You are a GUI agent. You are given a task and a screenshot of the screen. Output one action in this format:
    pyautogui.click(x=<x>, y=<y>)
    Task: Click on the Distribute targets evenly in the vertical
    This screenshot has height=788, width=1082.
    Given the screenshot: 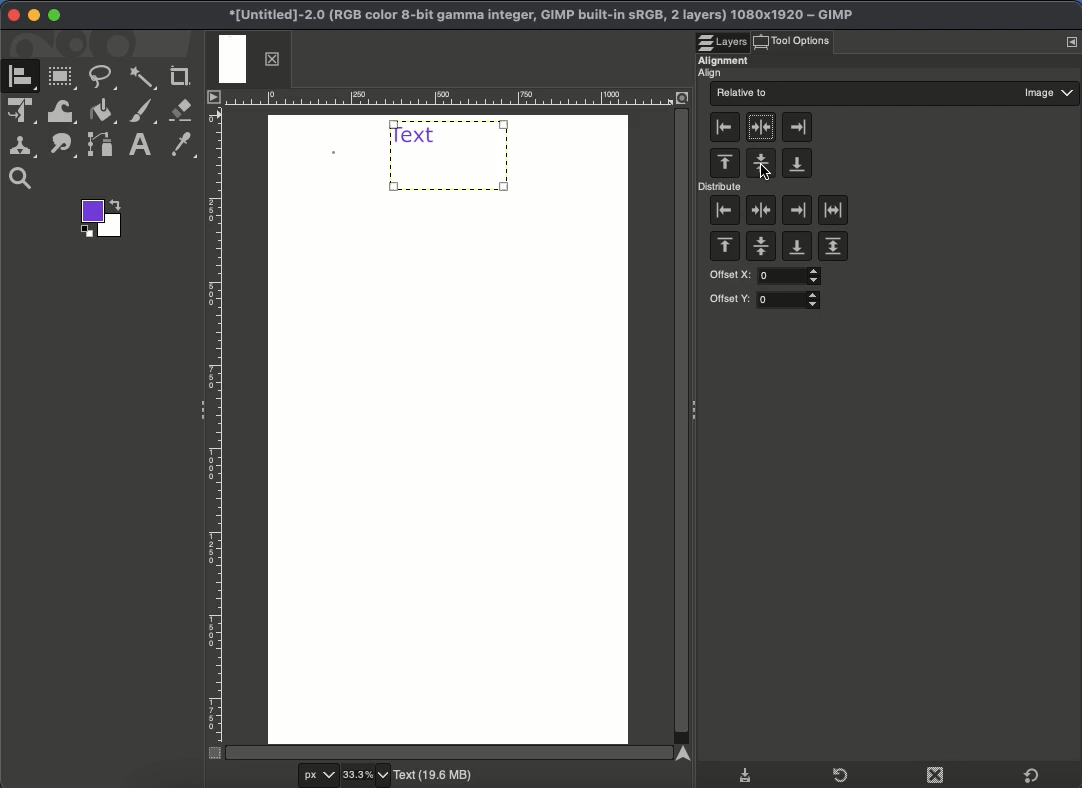 What is the action you would take?
    pyautogui.click(x=833, y=248)
    